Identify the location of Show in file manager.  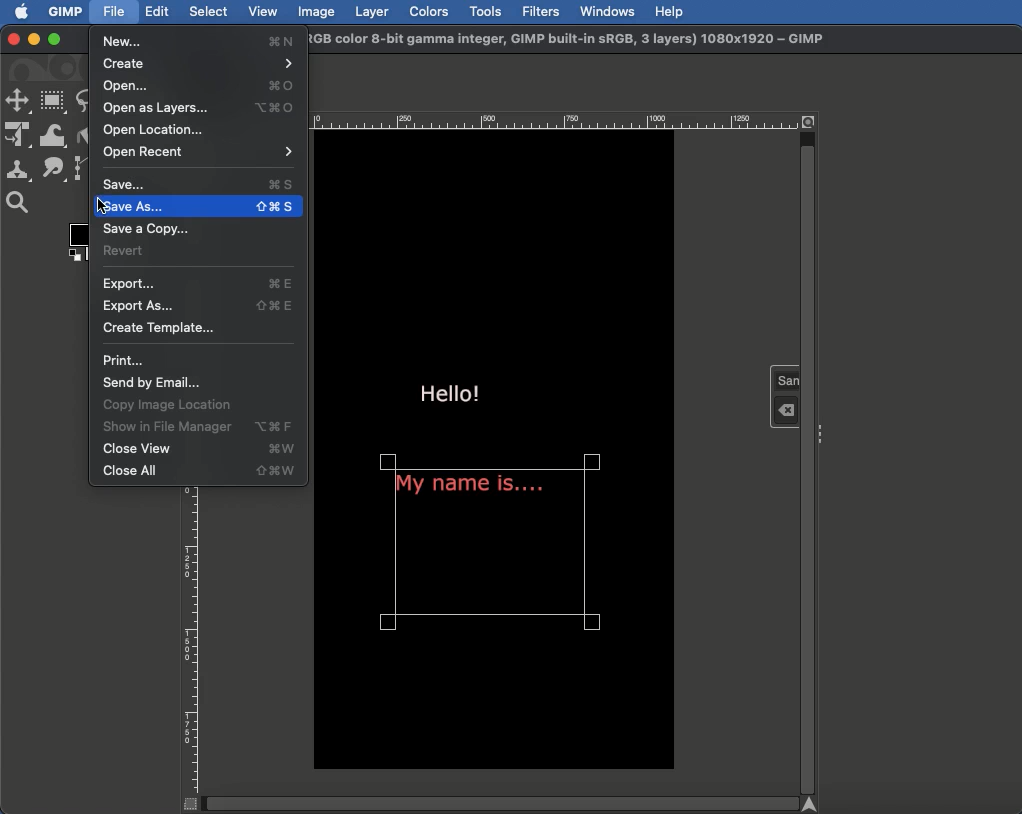
(197, 427).